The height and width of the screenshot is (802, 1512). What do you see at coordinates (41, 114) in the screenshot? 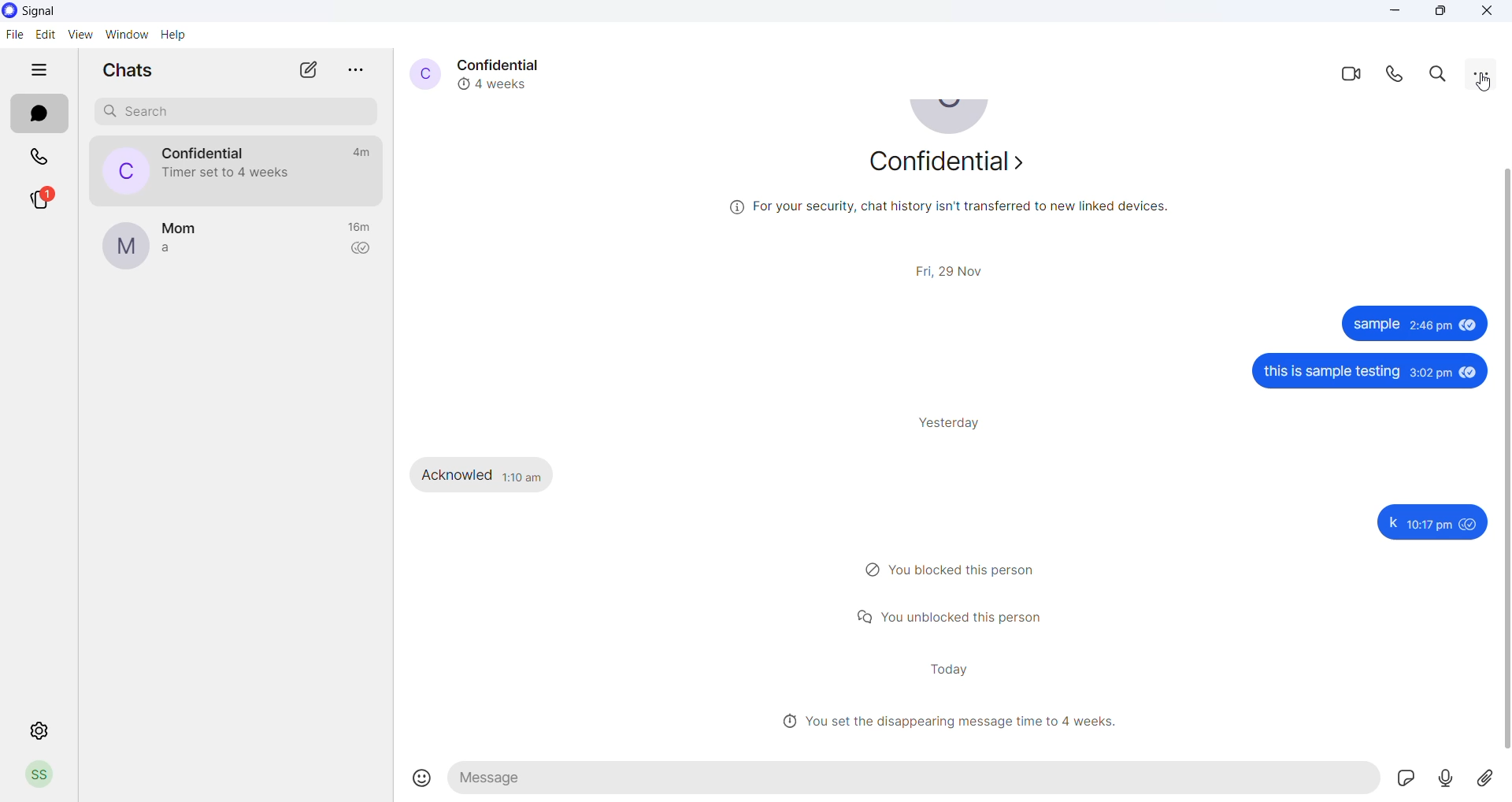
I see `chats` at bounding box center [41, 114].